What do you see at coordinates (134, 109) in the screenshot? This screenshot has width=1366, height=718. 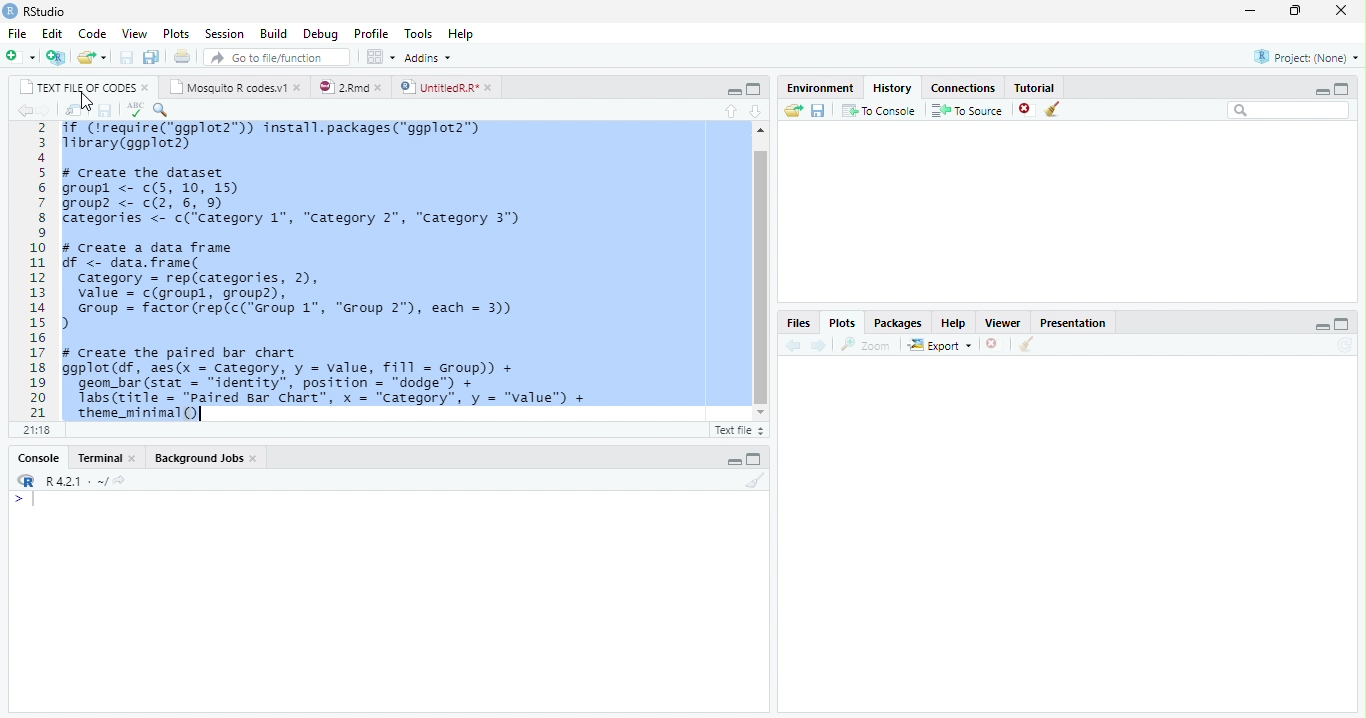 I see `corect spellings` at bounding box center [134, 109].